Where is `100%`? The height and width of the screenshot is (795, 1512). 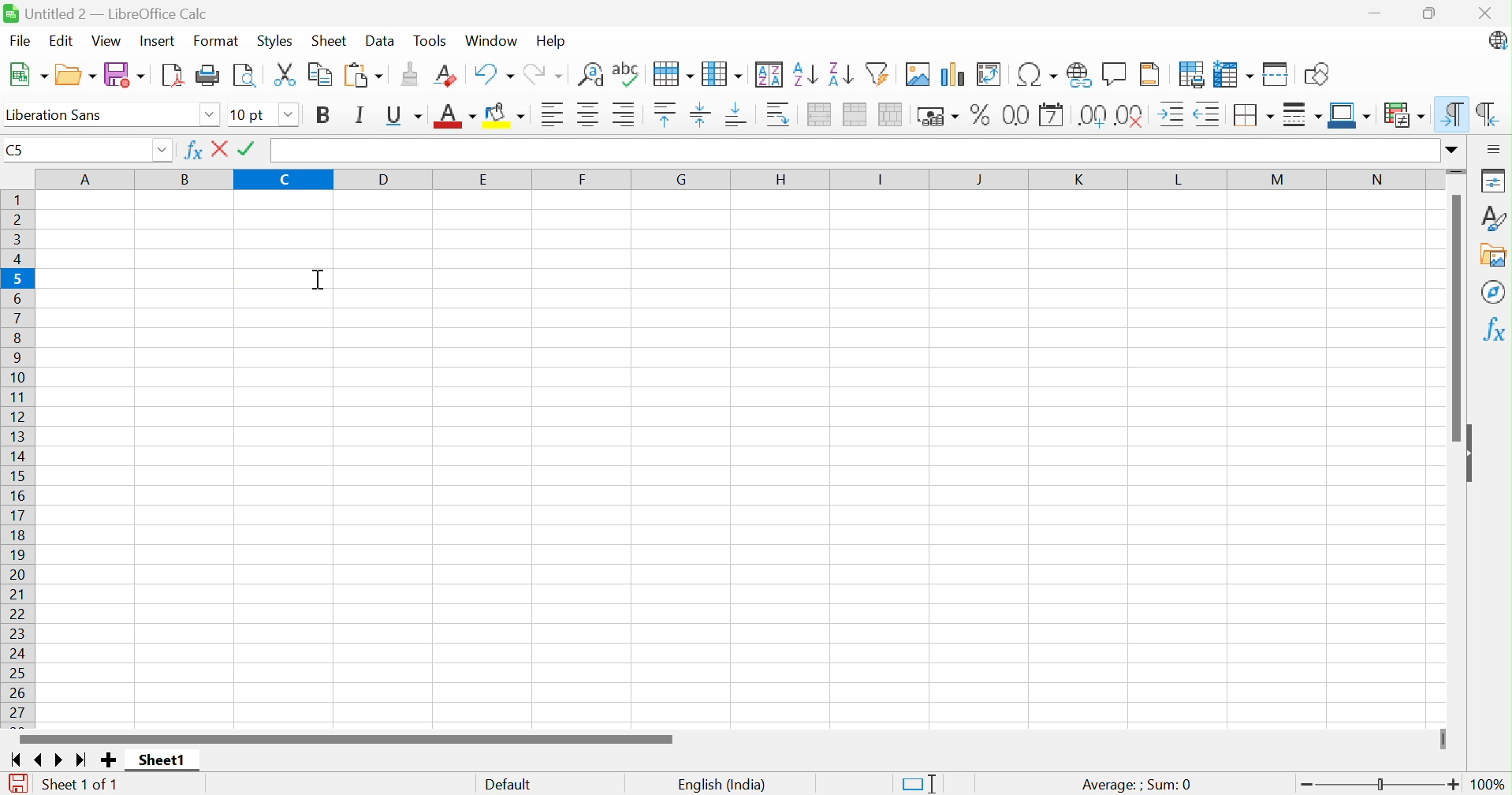
100% is located at coordinates (1492, 786).